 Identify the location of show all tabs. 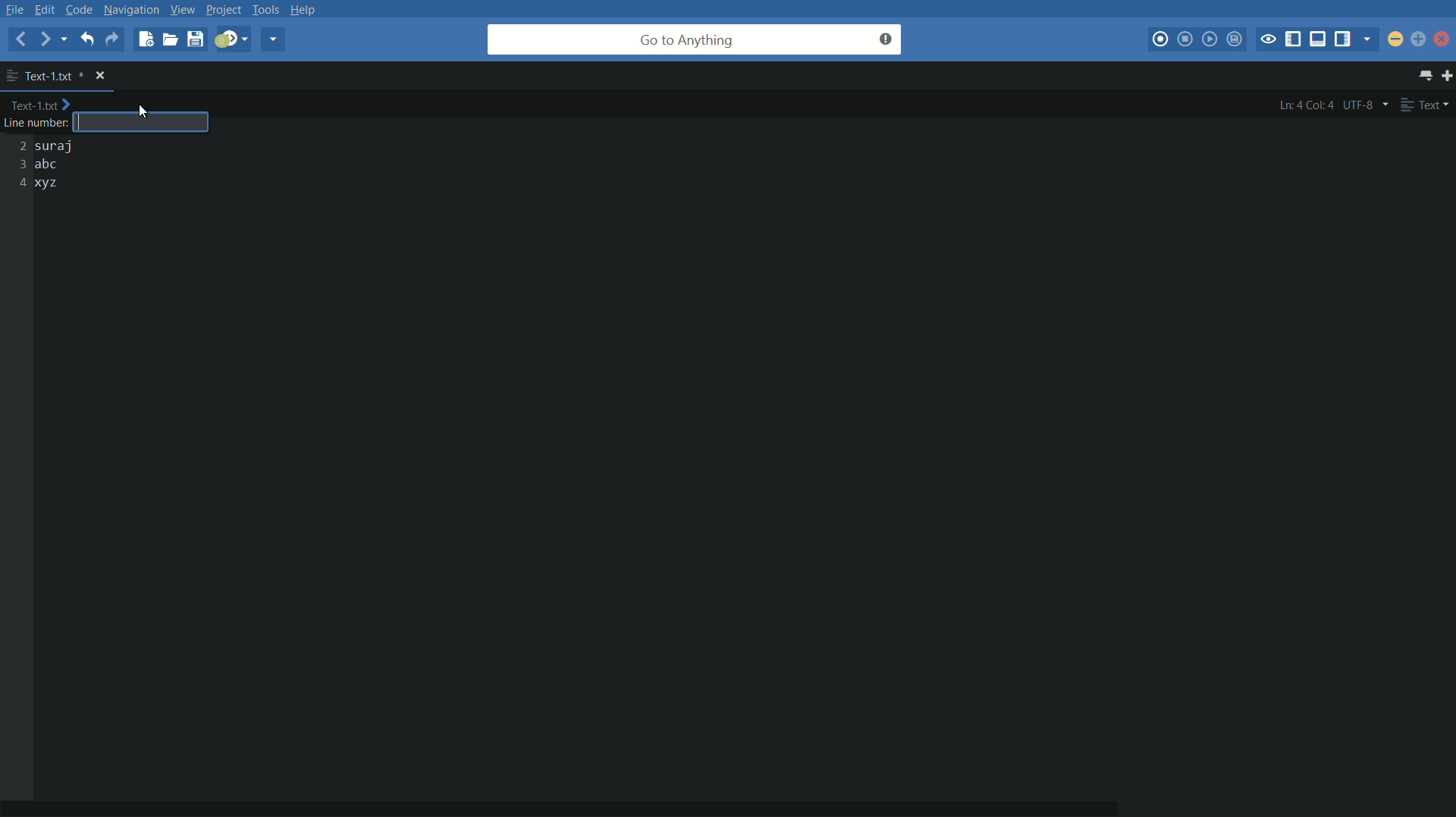
(1427, 77).